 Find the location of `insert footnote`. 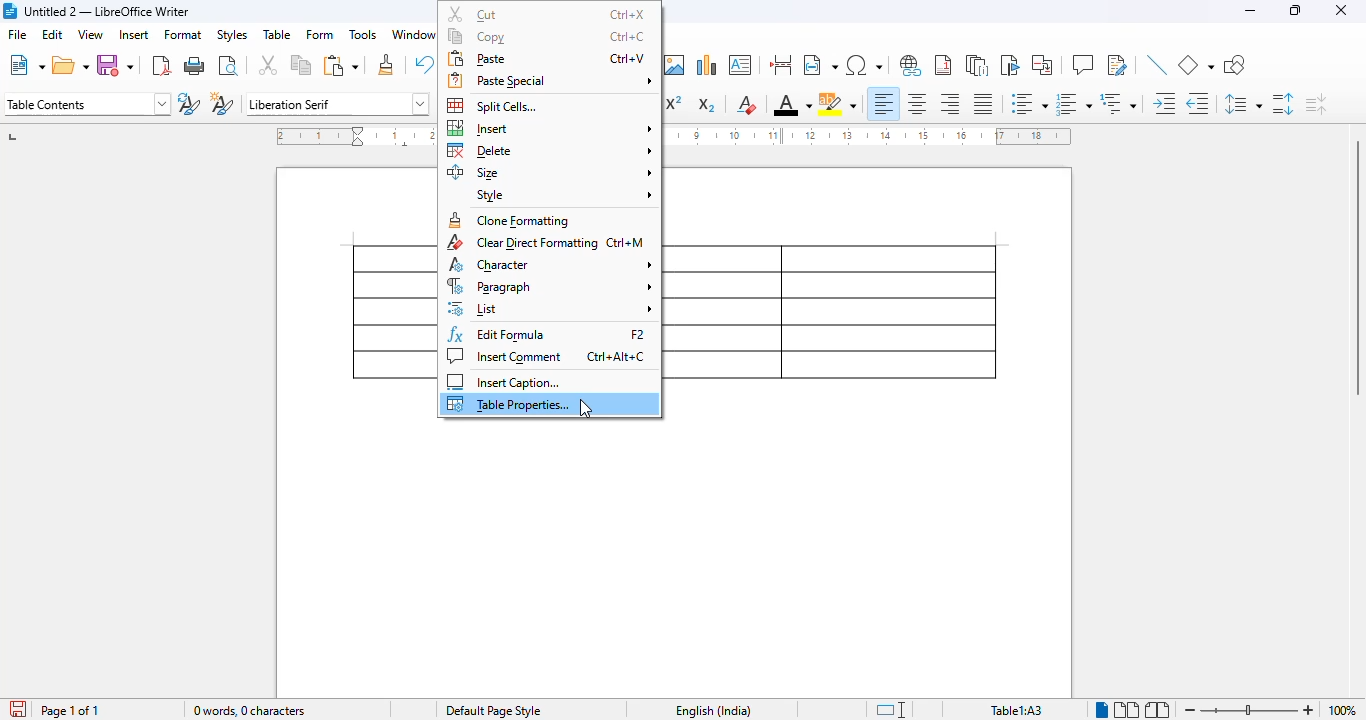

insert footnote is located at coordinates (943, 65).